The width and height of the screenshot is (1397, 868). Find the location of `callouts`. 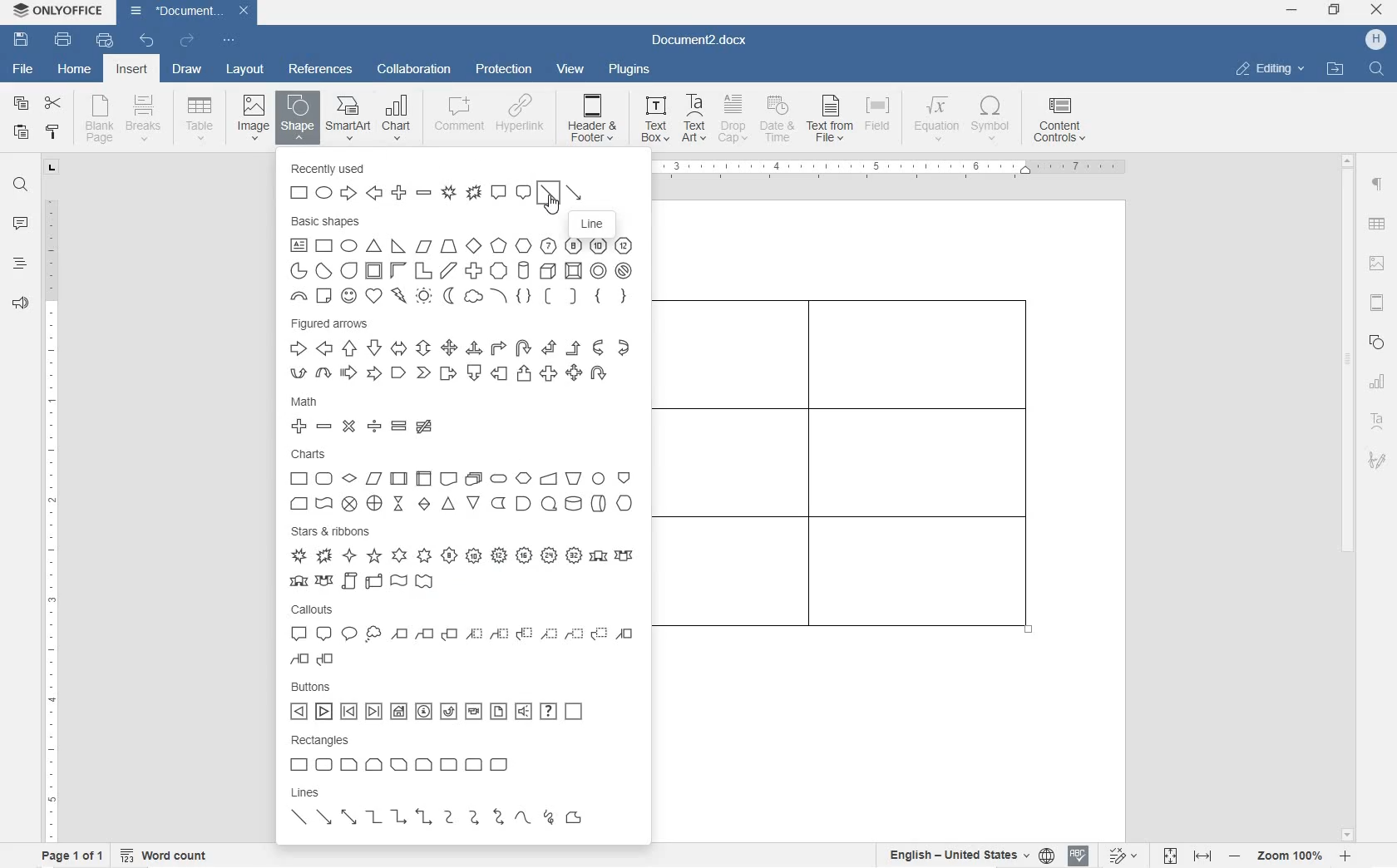

callouts is located at coordinates (460, 636).